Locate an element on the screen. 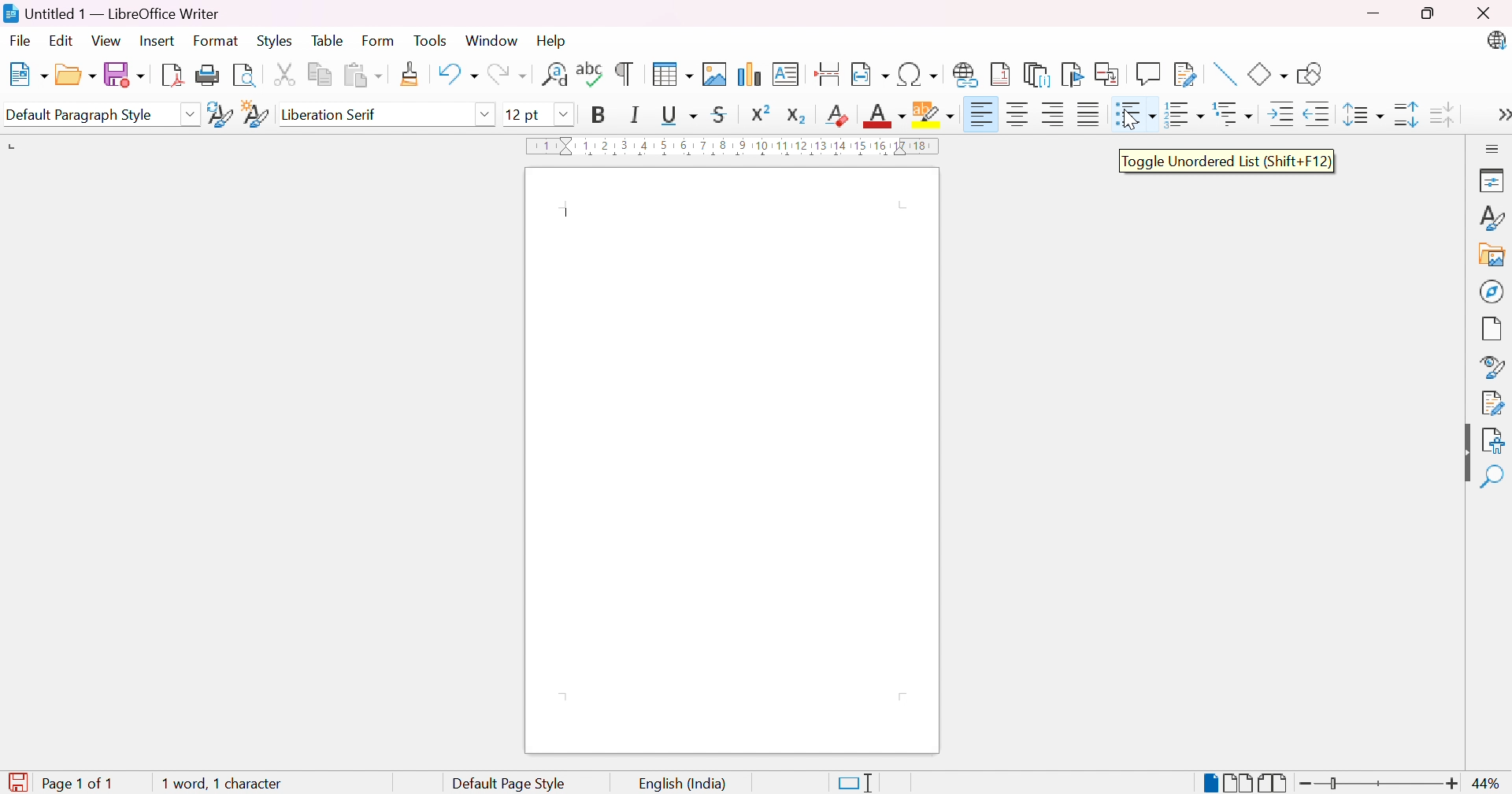  Insert line. is located at coordinates (1227, 75).